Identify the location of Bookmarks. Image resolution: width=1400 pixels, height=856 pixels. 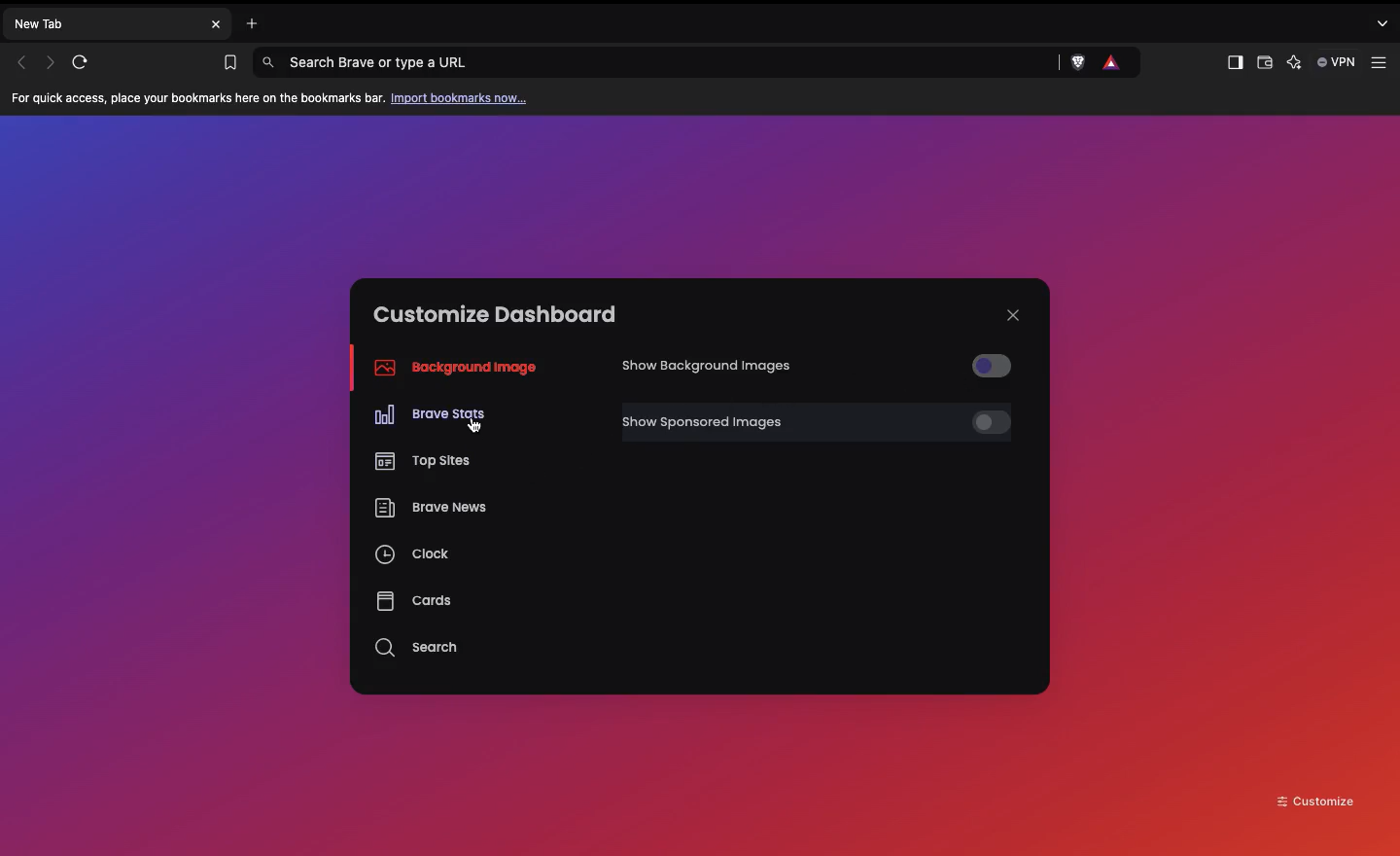
(226, 63).